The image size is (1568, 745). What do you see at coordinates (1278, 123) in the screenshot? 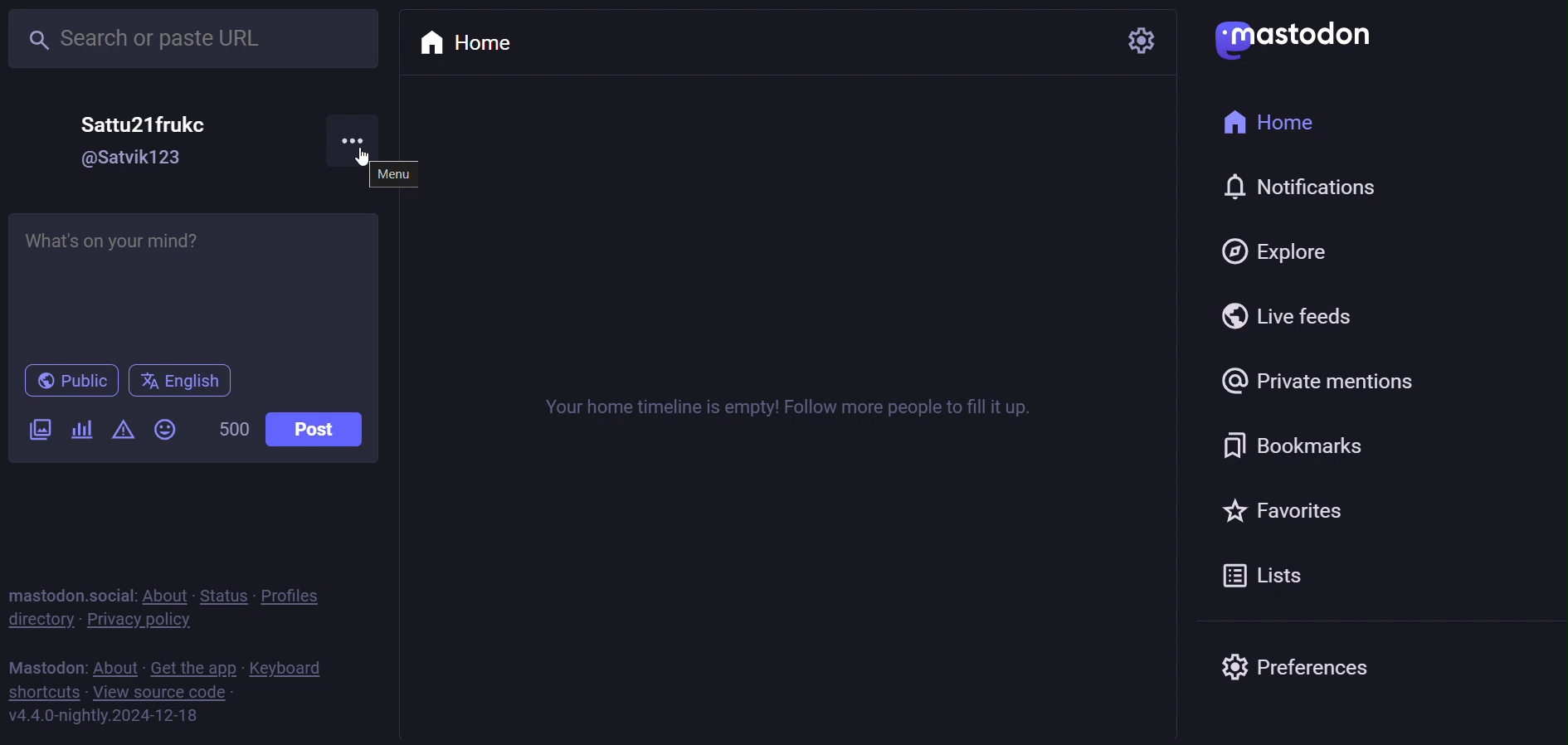
I see `home` at bounding box center [1278, 123].